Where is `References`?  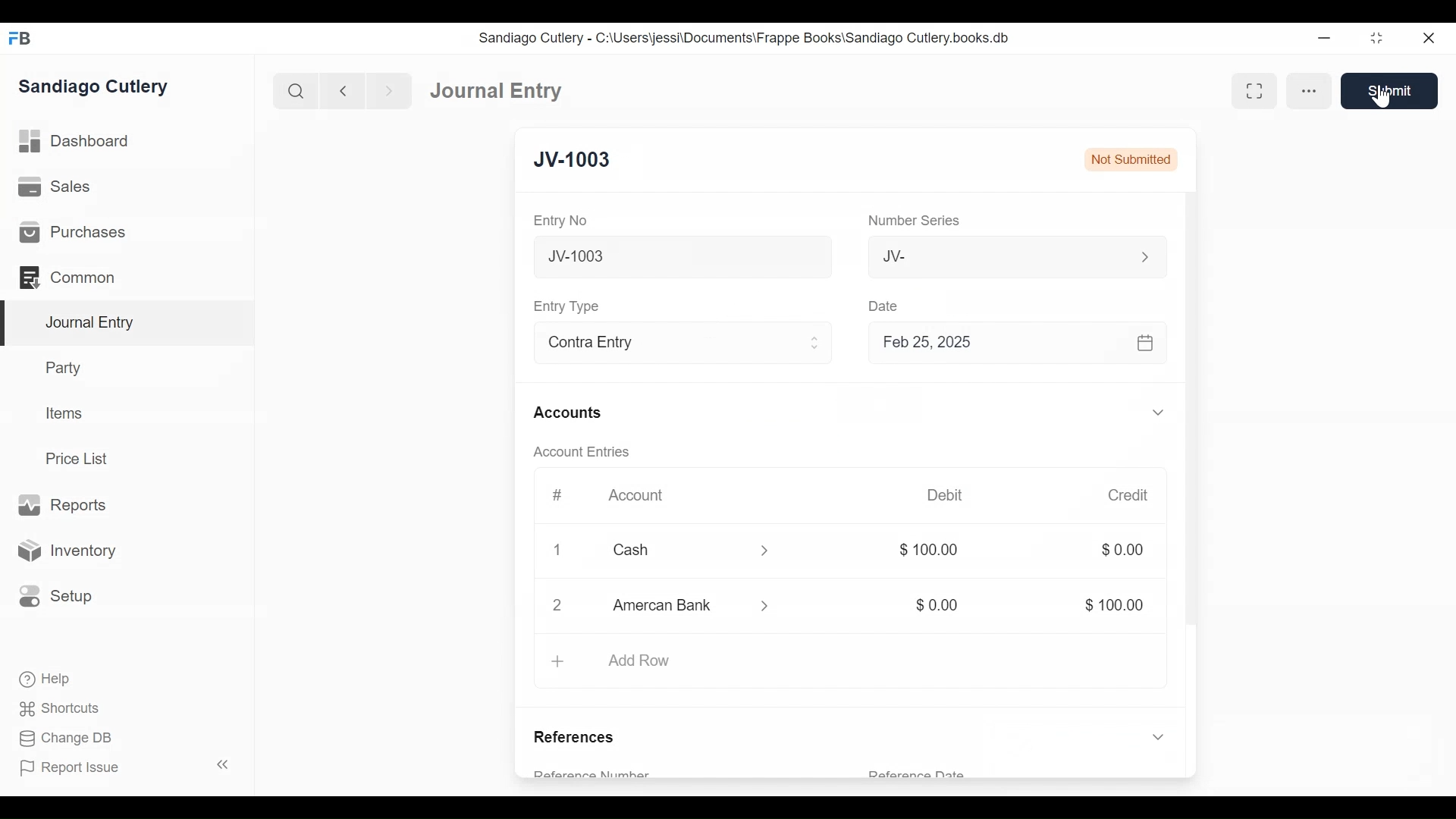
References is located at coordinates (575, 739).